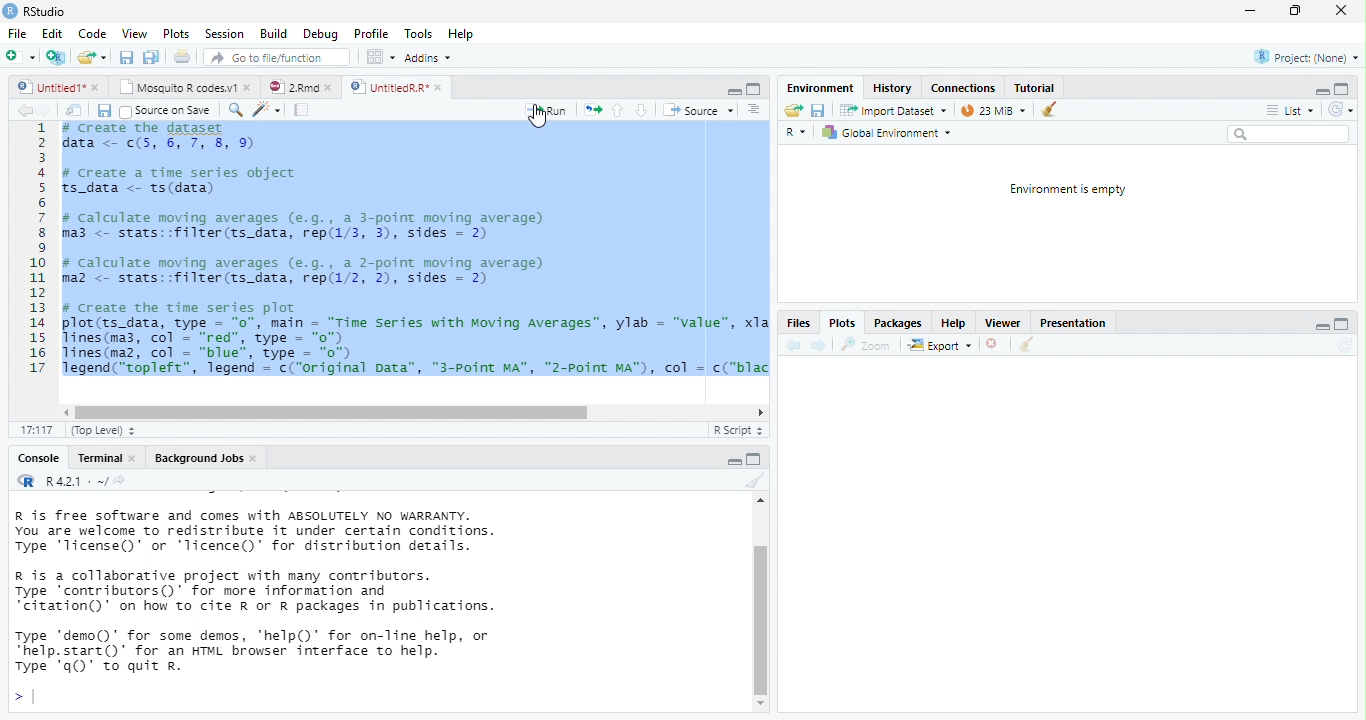 The image size is (1366, 720). Describe the element at coordinates (379, 57) in the screenshot. I see `wrokspace pan` at that location.